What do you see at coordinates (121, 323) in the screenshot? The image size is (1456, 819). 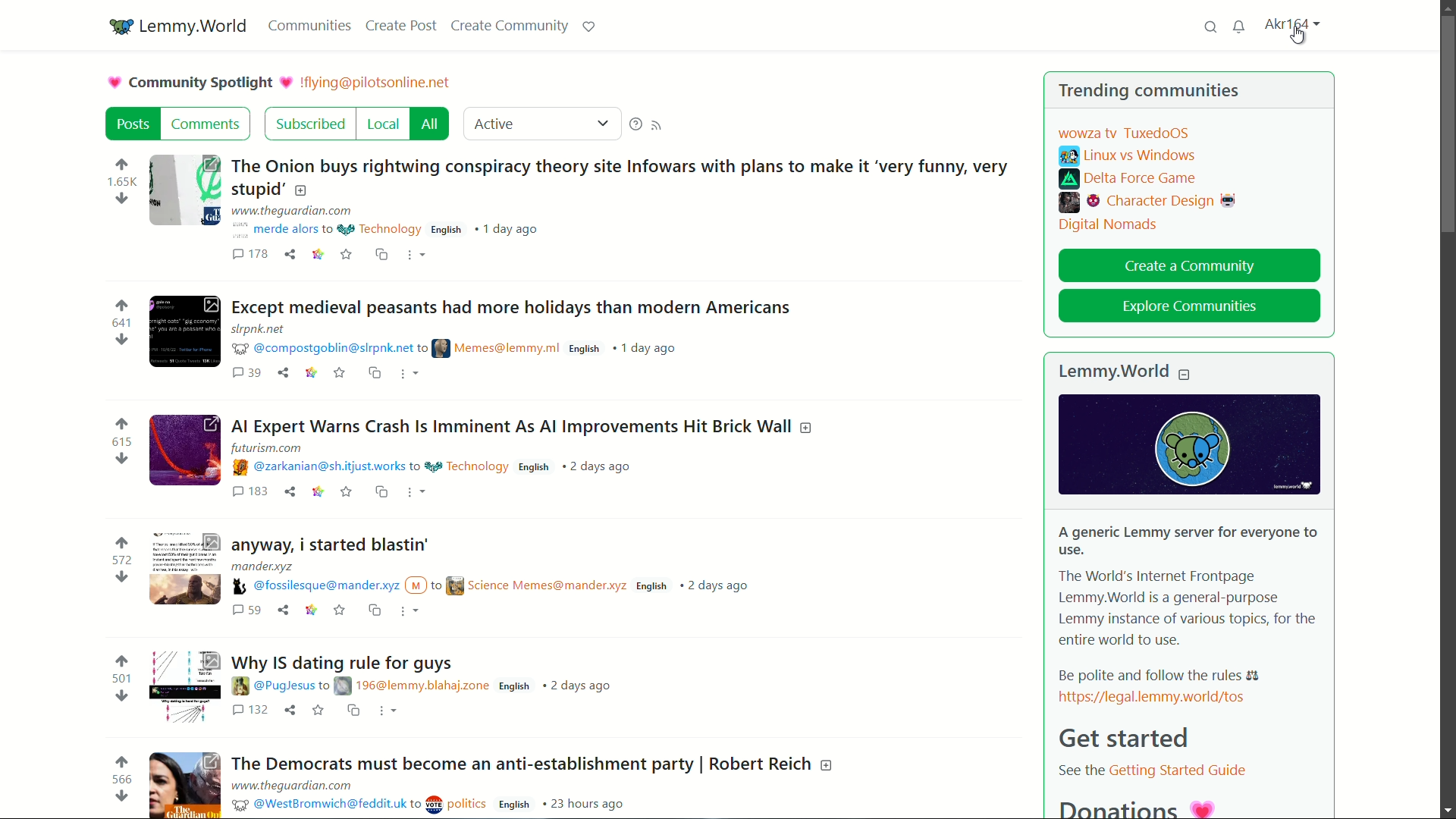 I see `number of votes` at bounding box center [121, 323].